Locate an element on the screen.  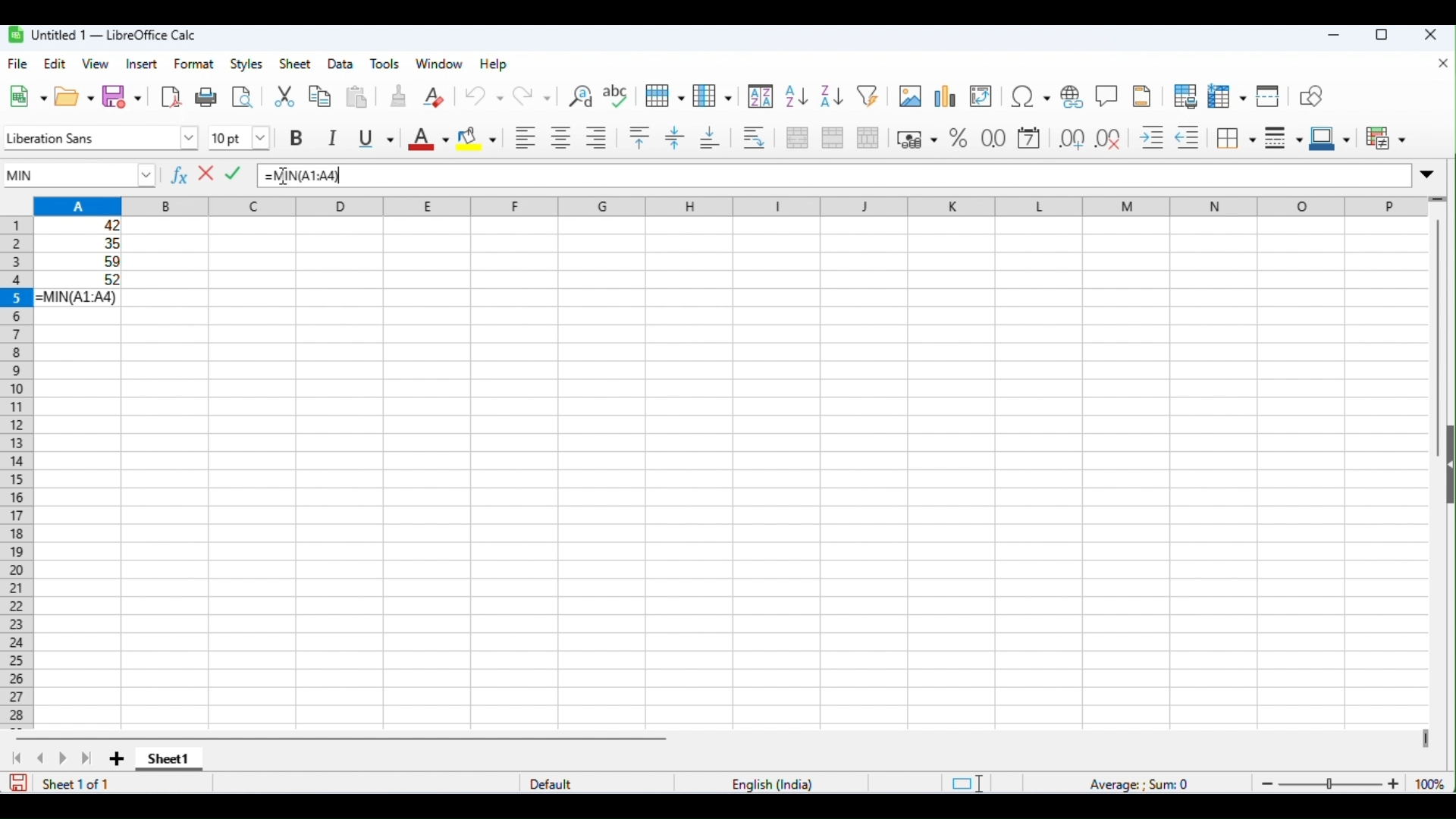
minimize is located at coordinates (1334, 36).